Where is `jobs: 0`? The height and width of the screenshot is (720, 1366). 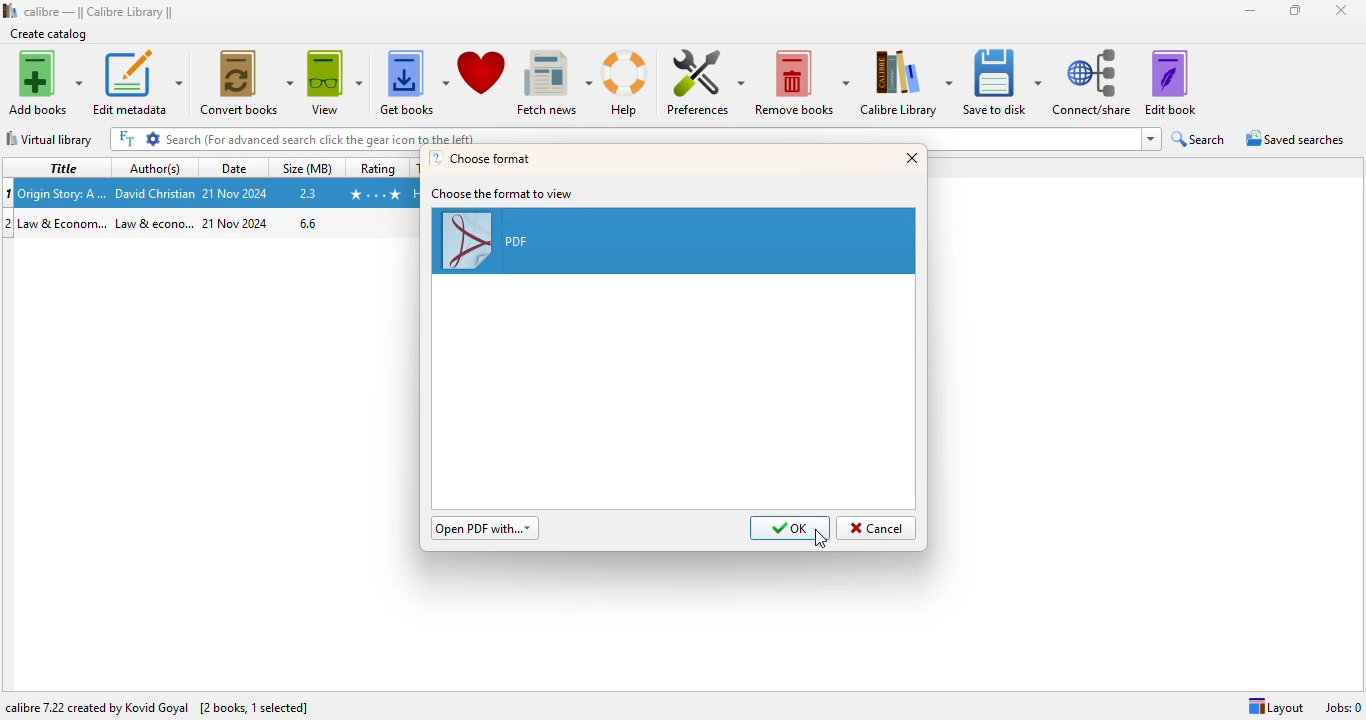 jobs: 0 is located at coordinates (1344, 708).